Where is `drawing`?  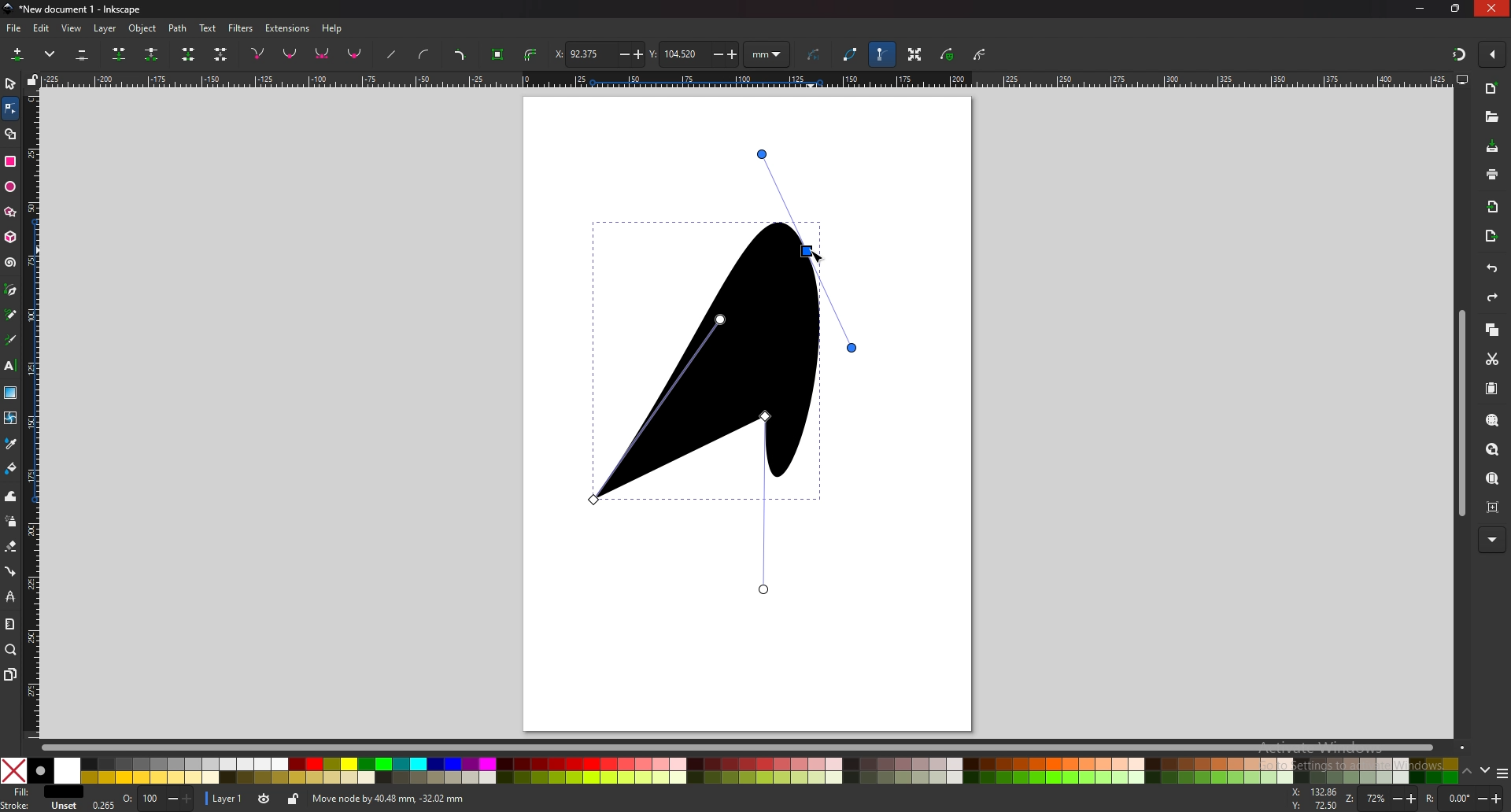
drawing is located at coordinates (729, 371).